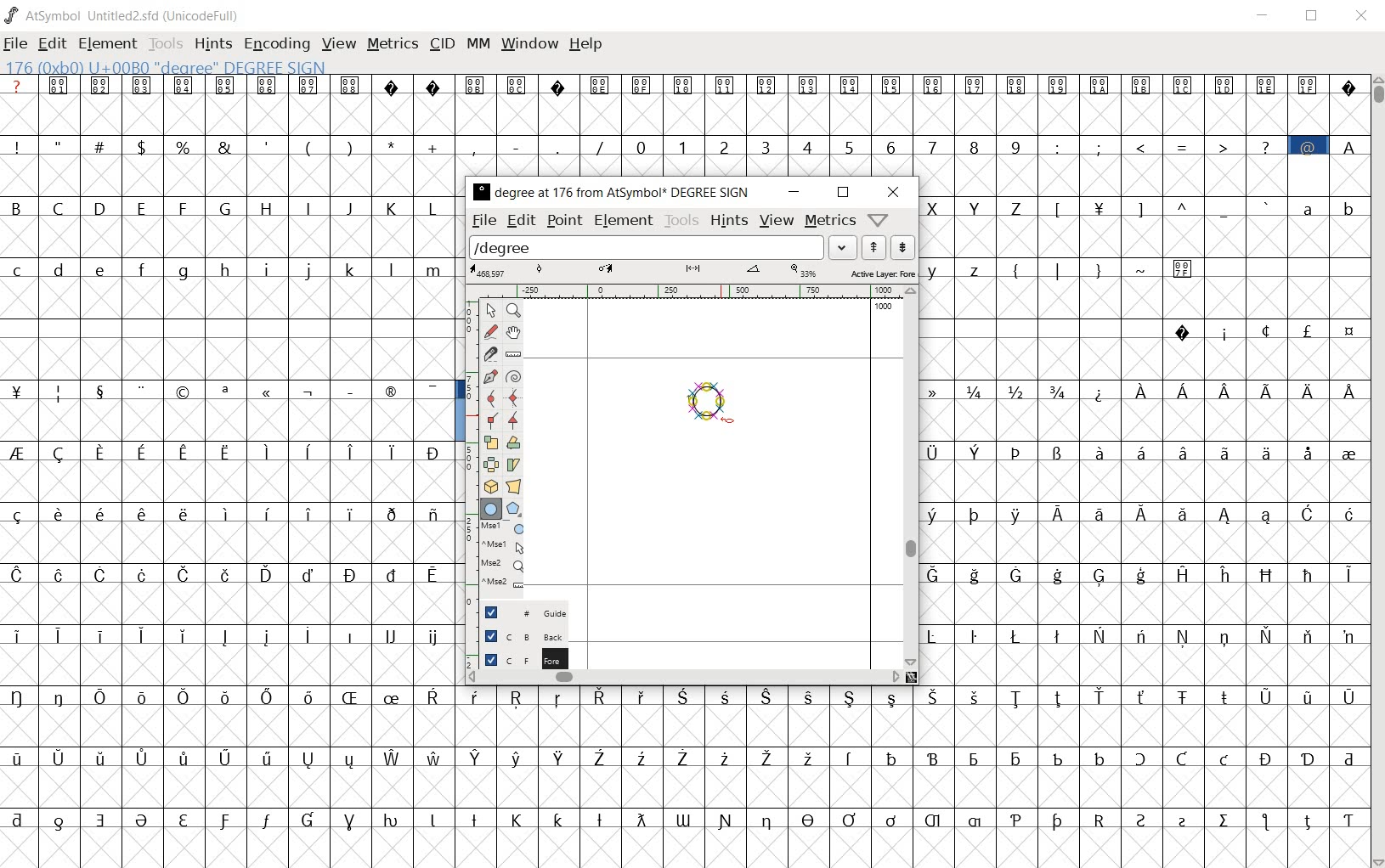  Describe the element at coordinates (1362, 17) in the screenshot. I see `close` at that location.